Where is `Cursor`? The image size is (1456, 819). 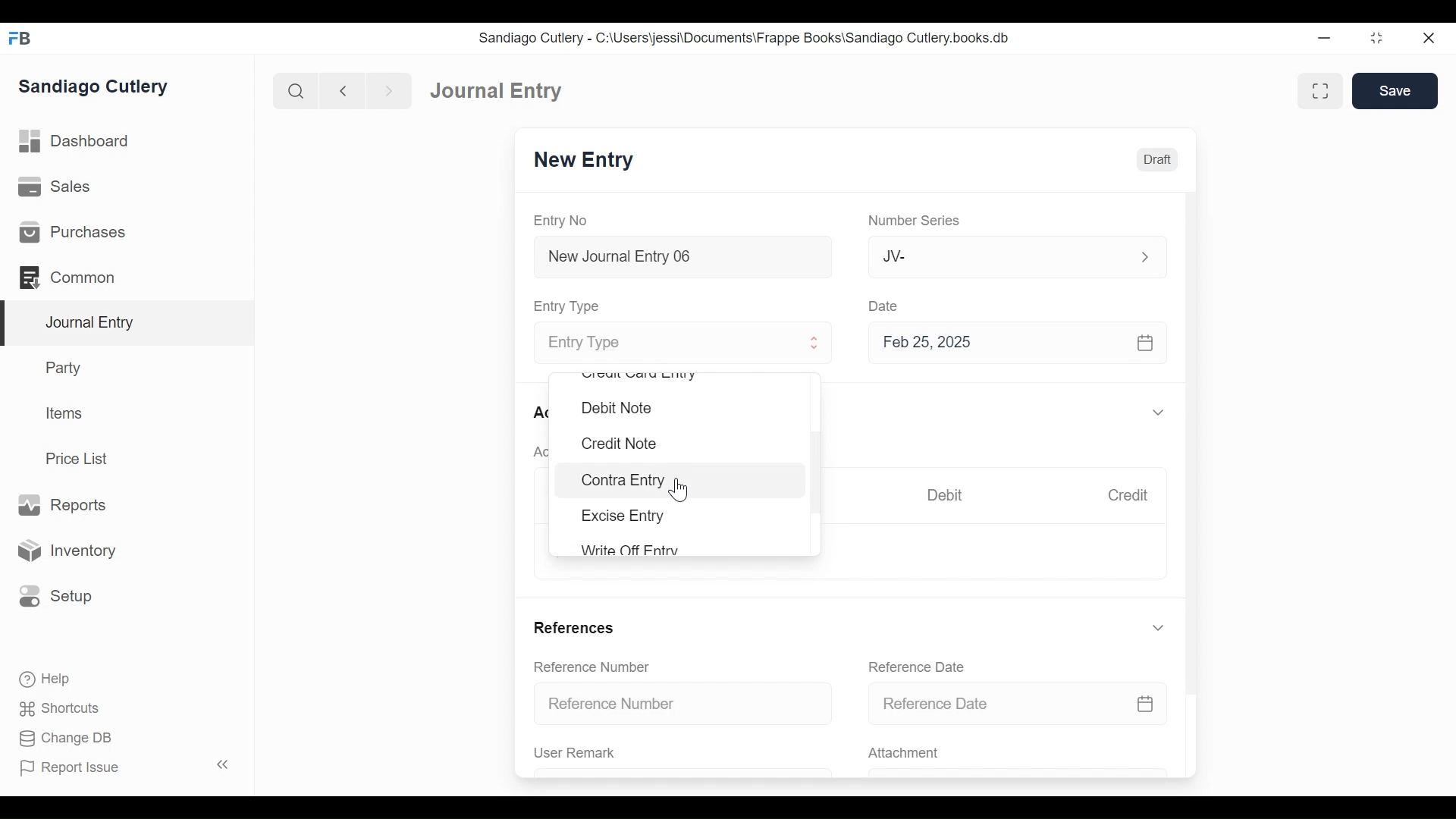 Cursor is located at coordinates (680, 490).